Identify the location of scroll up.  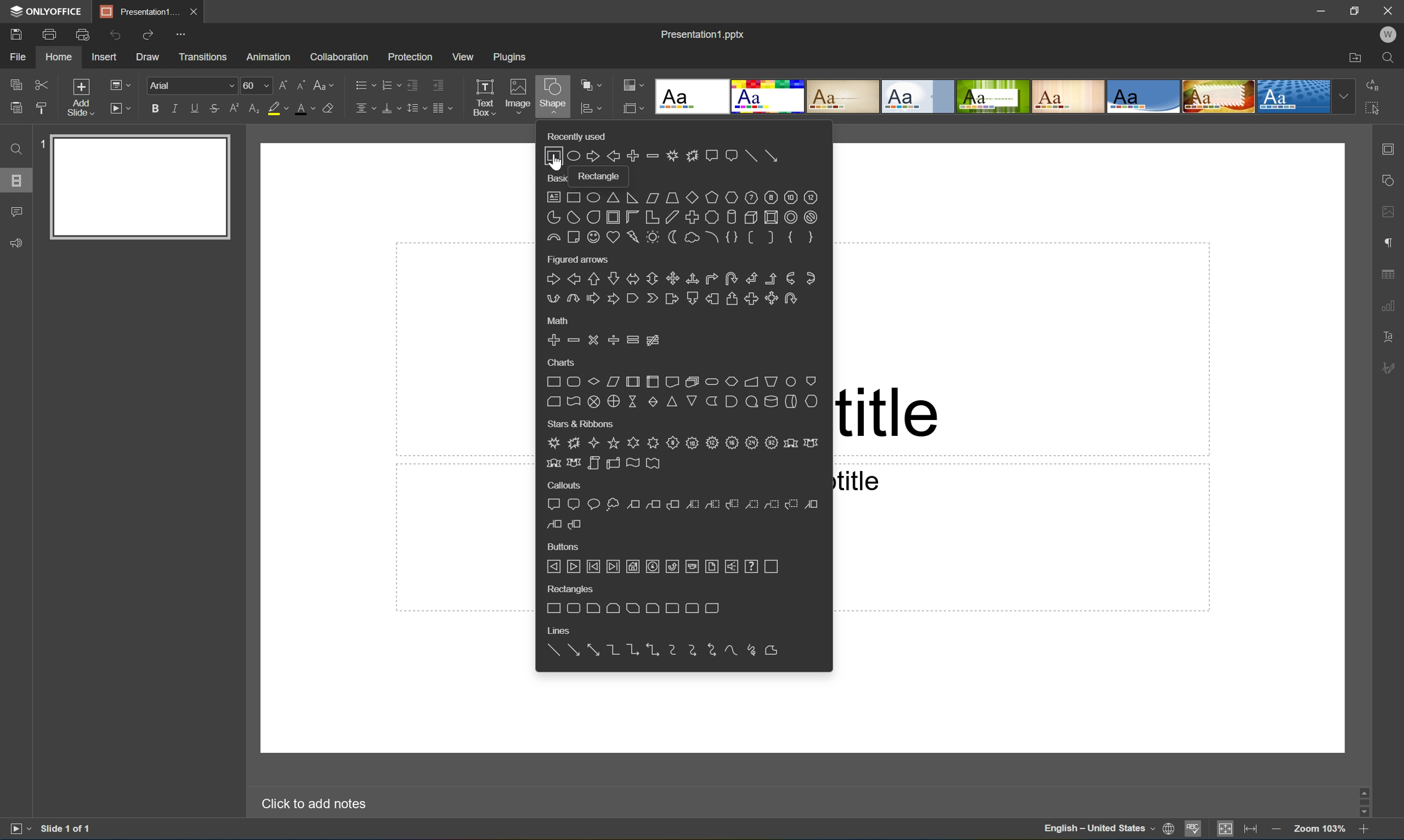
(1362, 790).